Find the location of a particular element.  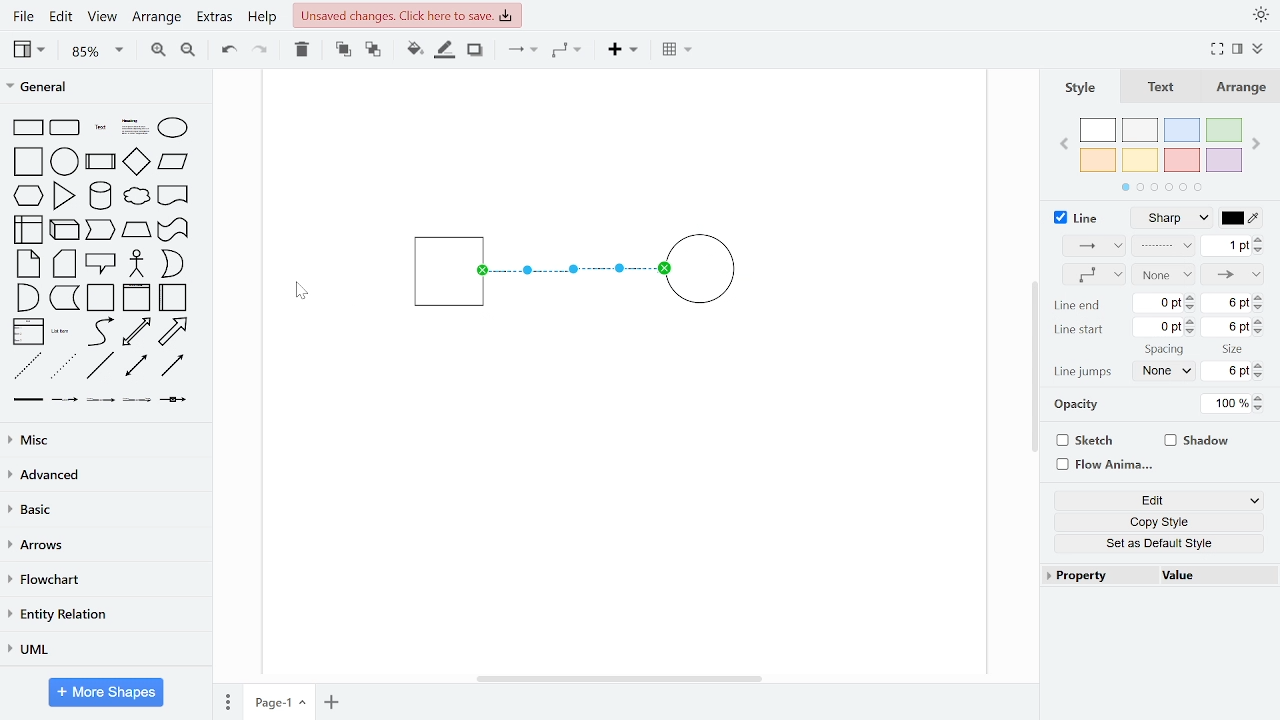

delete is located at coordinates (302, 49).